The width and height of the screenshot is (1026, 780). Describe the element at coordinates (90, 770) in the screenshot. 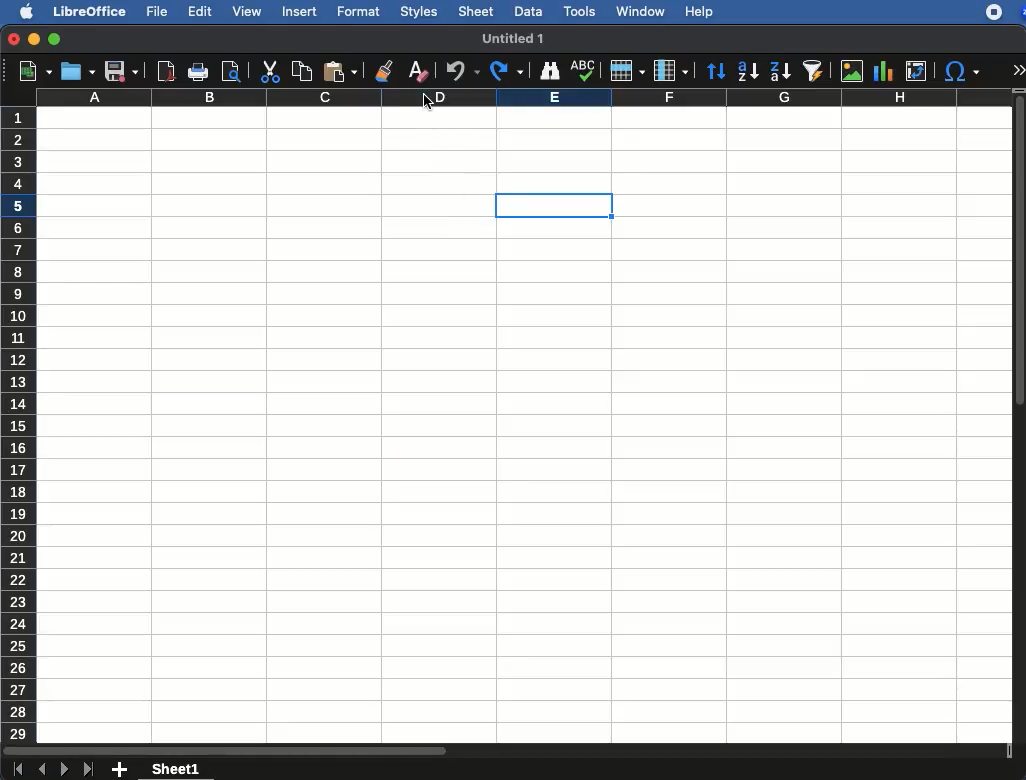

I see `last sheet` at that location.